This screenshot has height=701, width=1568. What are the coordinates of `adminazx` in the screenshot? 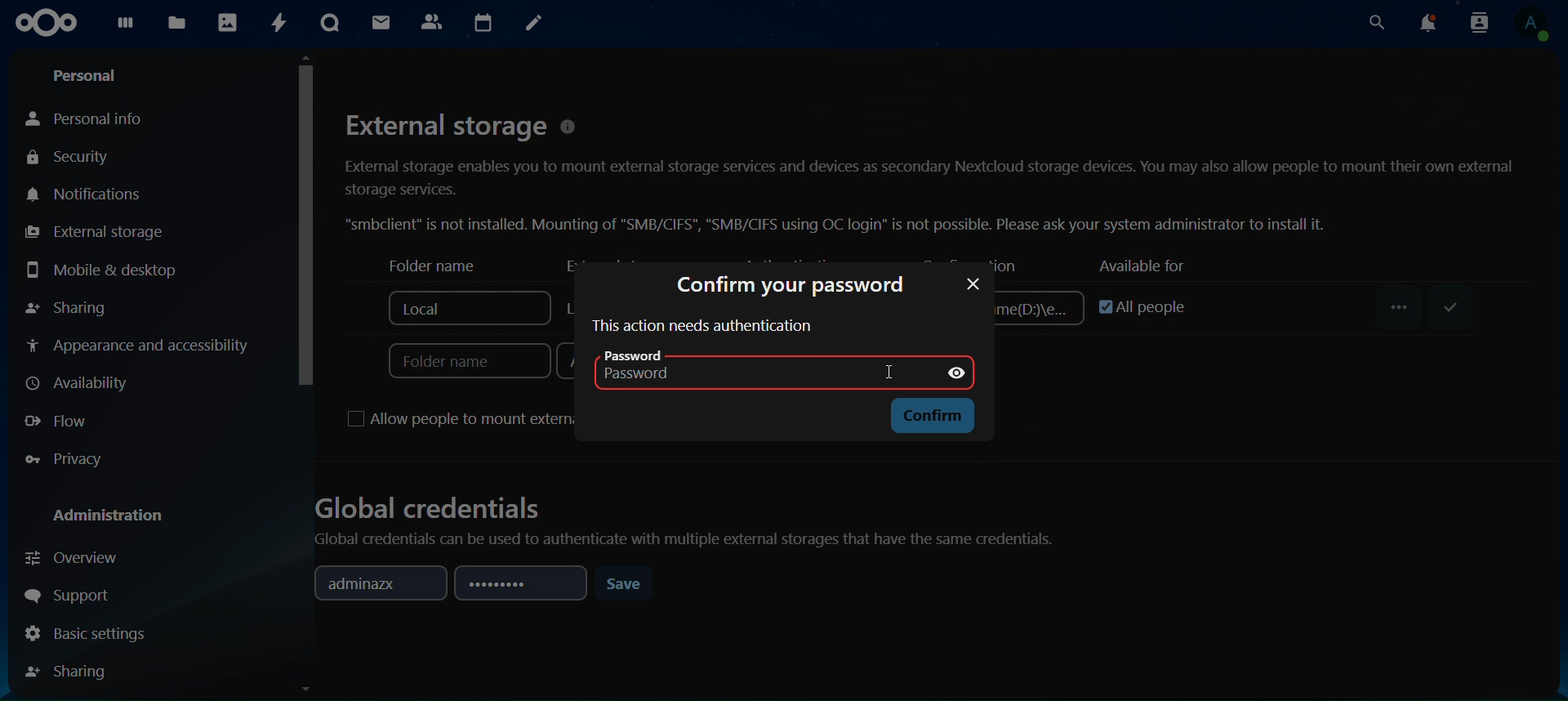 It's located at (374, 583).